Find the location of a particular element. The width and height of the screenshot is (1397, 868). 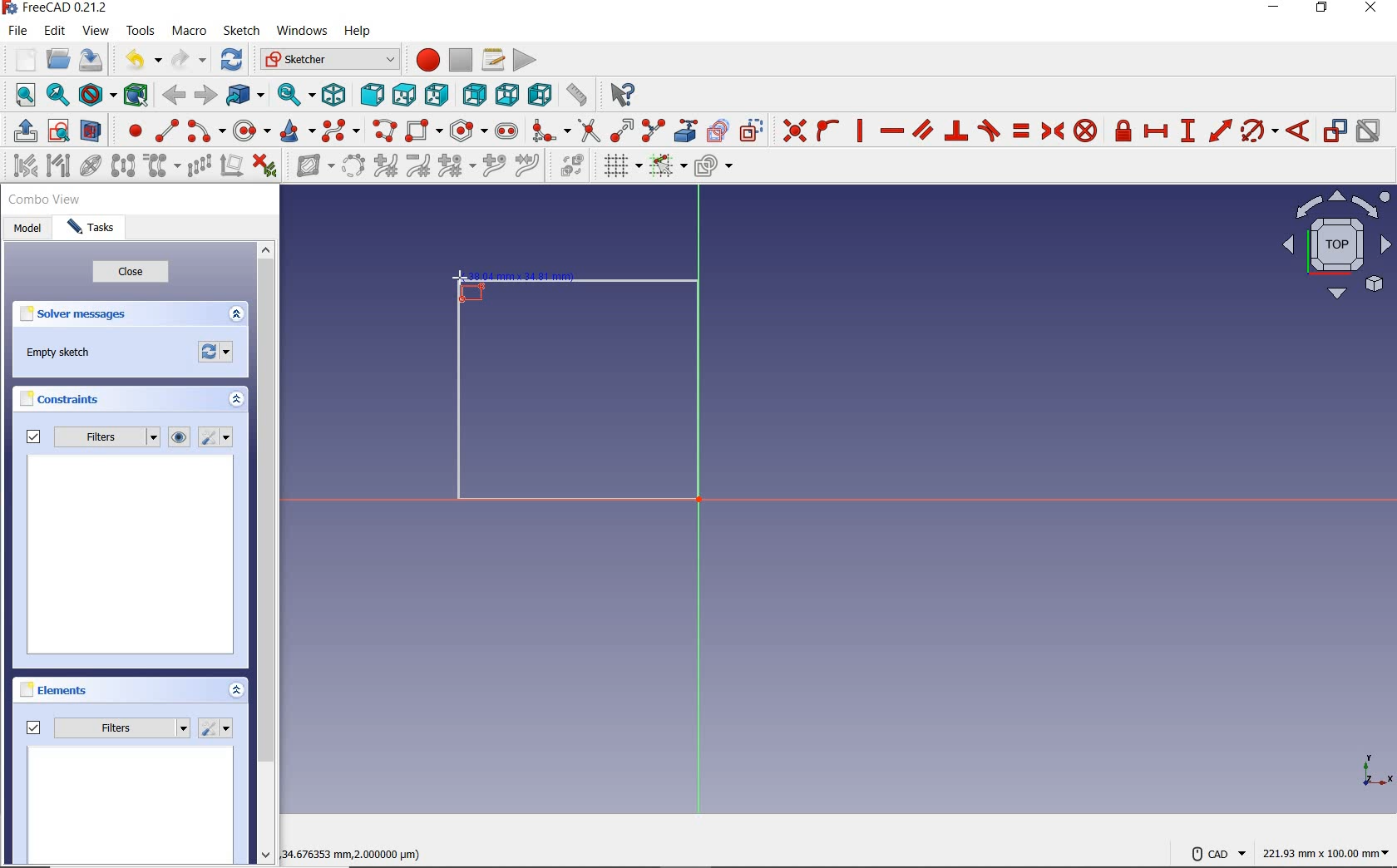

macro is located at coordinates (189, 32).